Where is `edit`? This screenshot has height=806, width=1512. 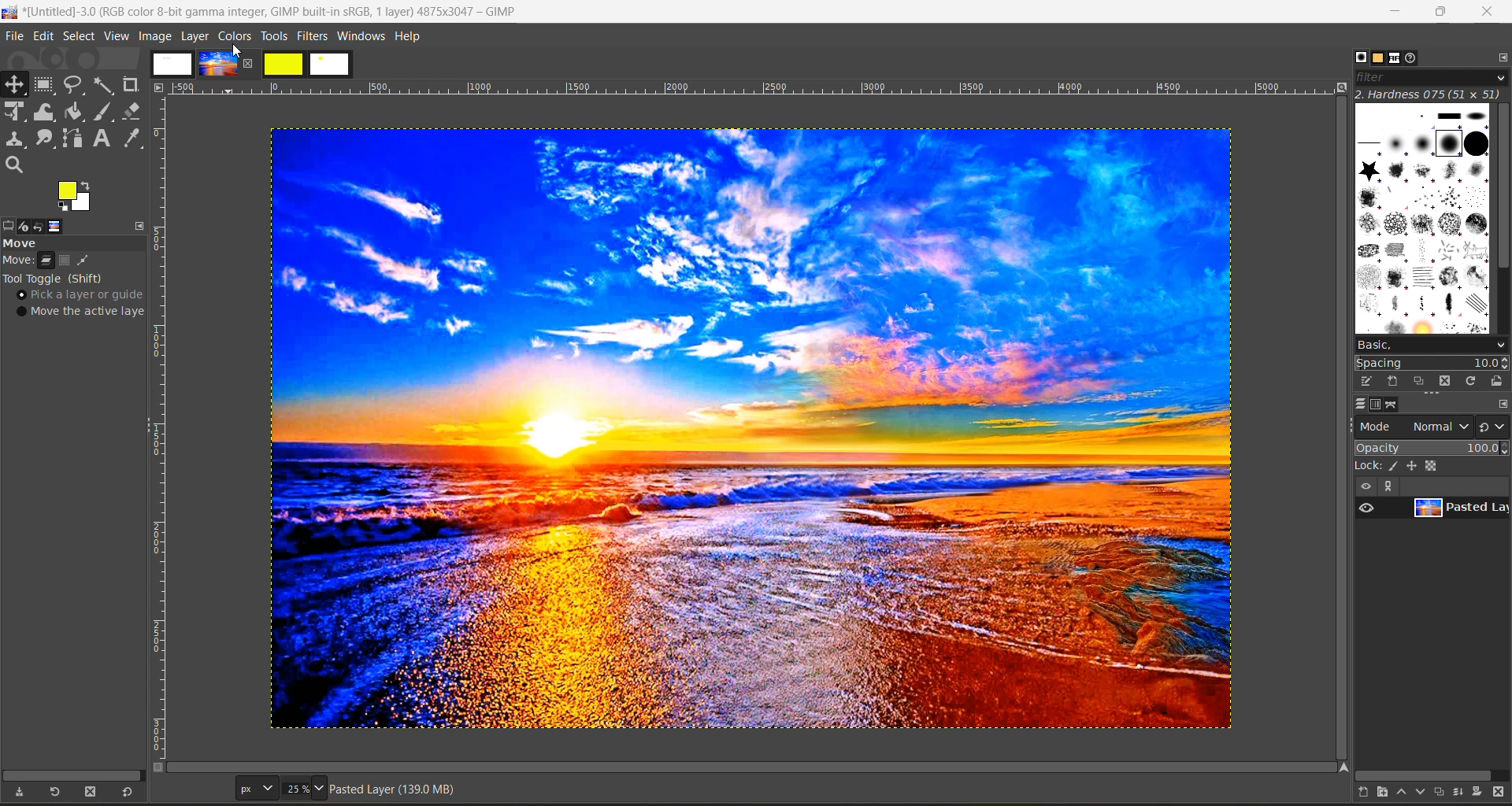 edit is located at coordinates (46, 38).